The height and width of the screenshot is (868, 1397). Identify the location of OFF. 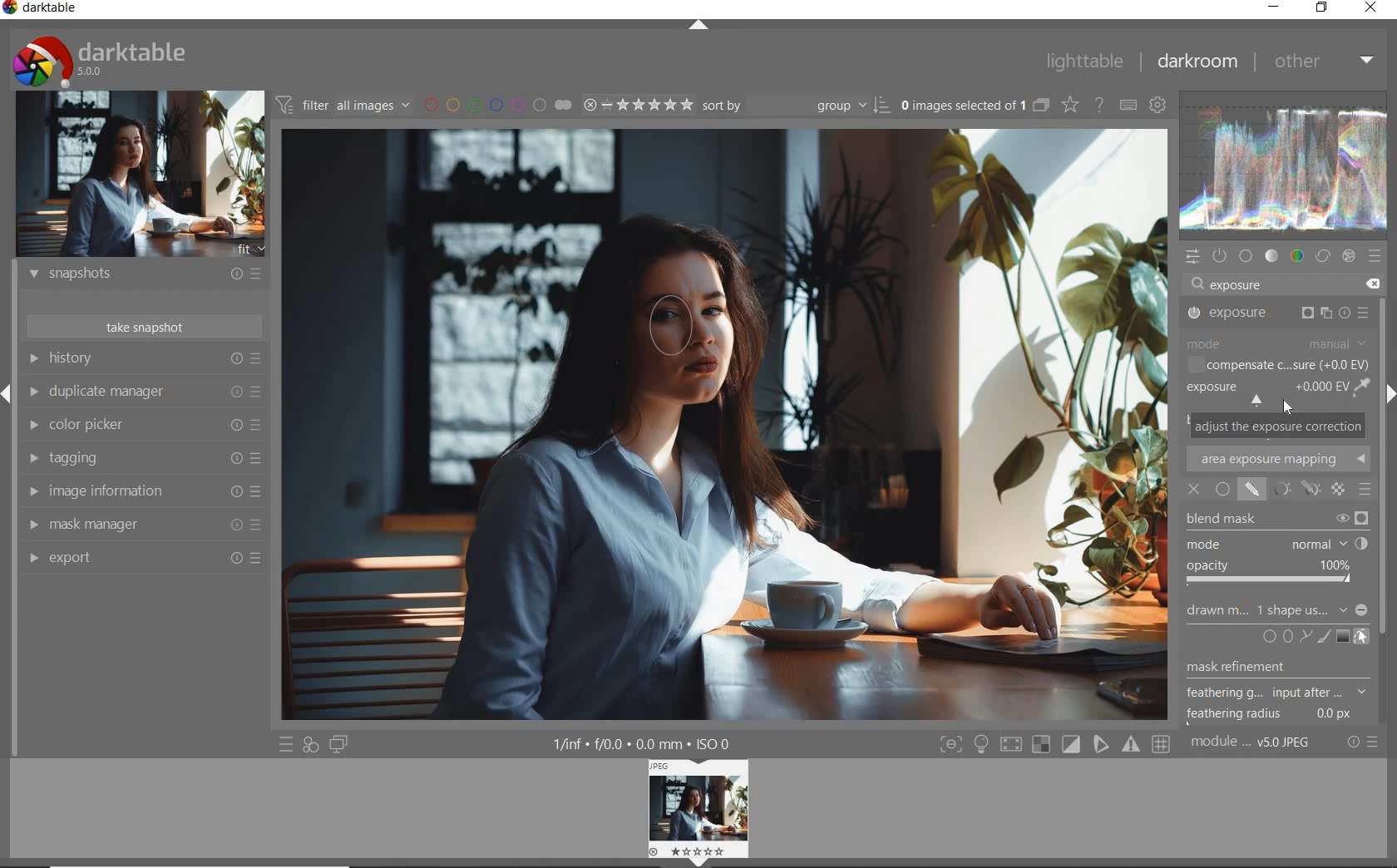
(1193, 491).